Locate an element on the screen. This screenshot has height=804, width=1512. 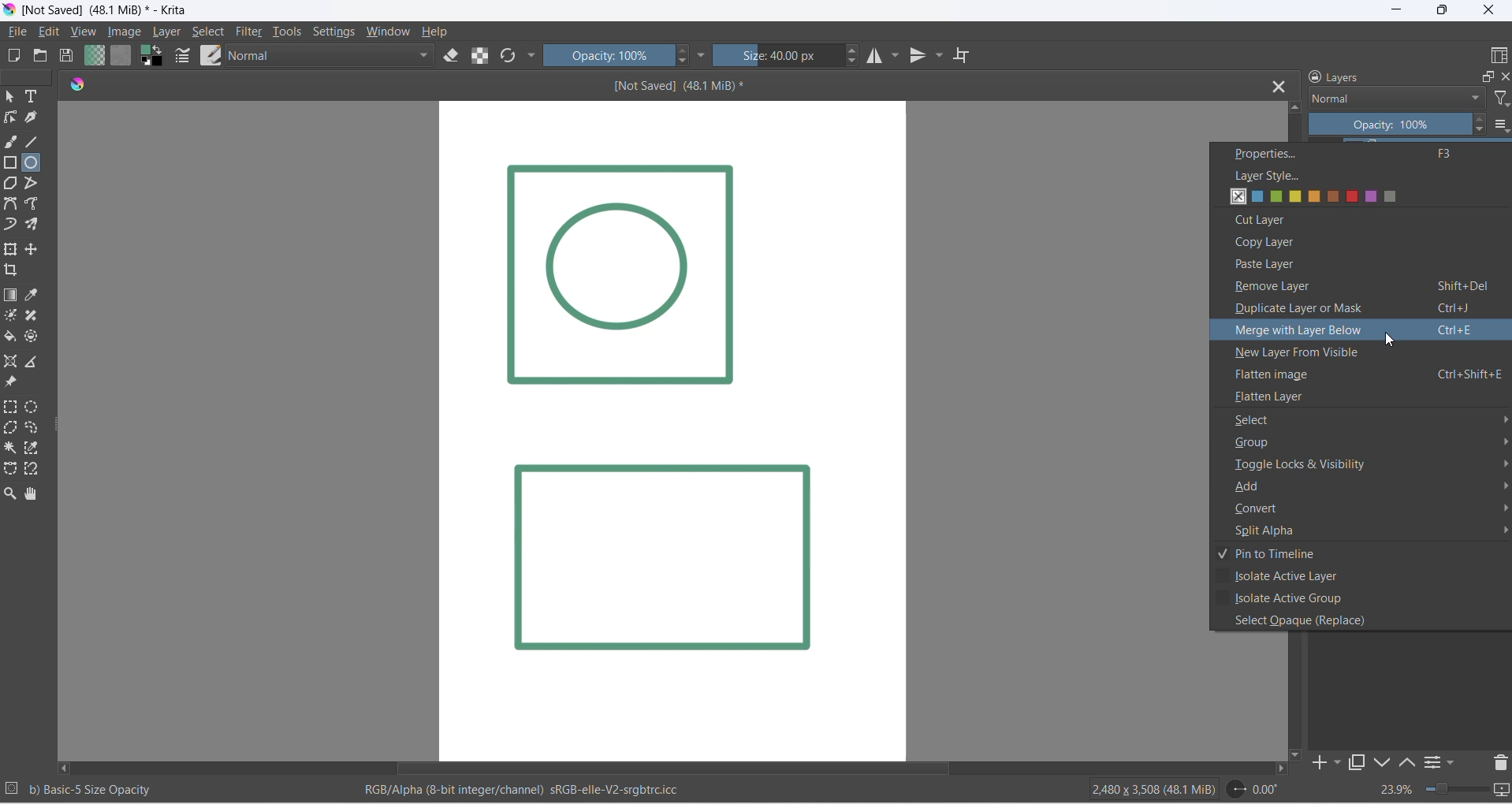
down is located at coordinates (1383, 763).